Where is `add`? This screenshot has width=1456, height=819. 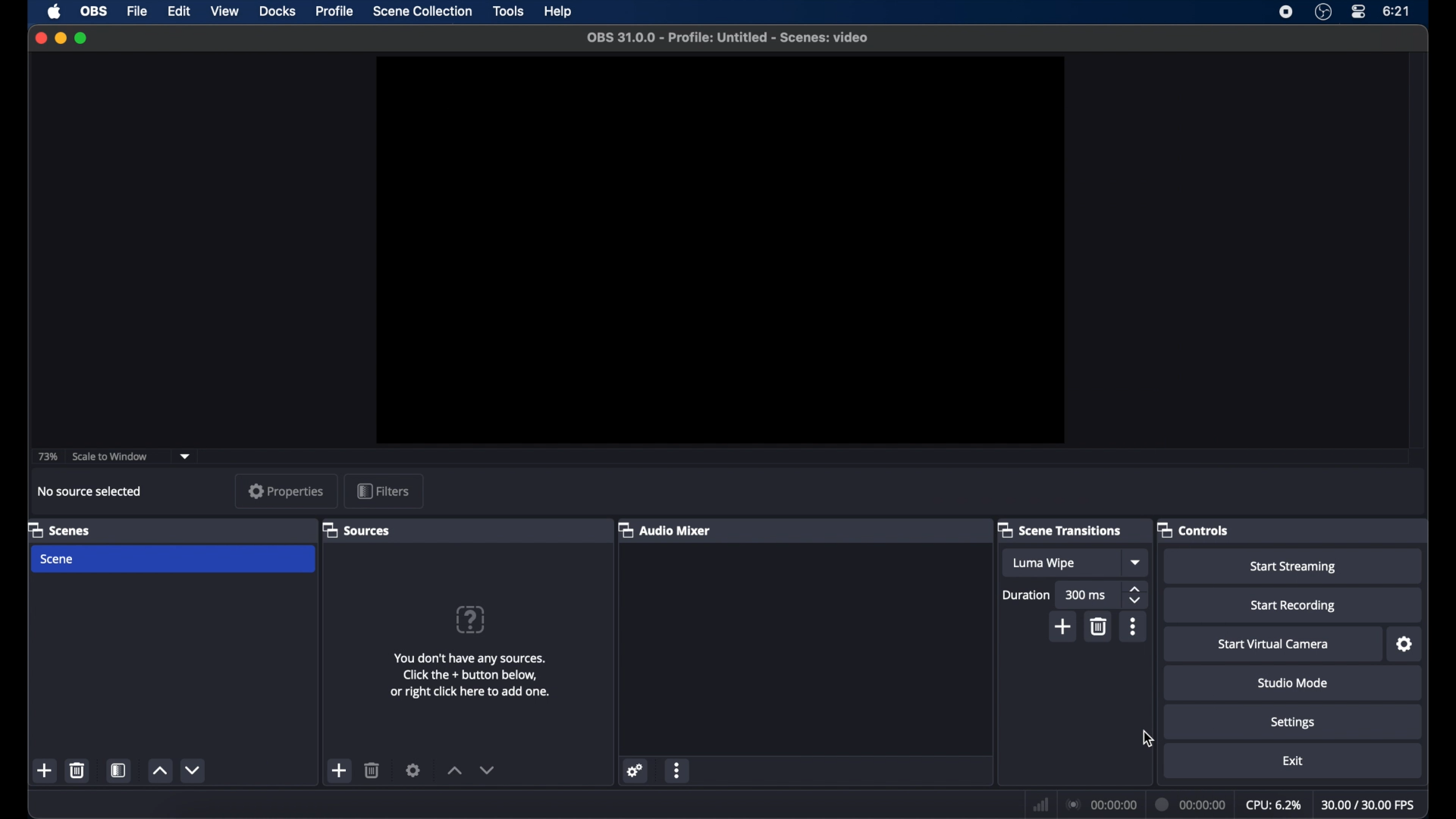
add is located at coordinates (1064, 626).